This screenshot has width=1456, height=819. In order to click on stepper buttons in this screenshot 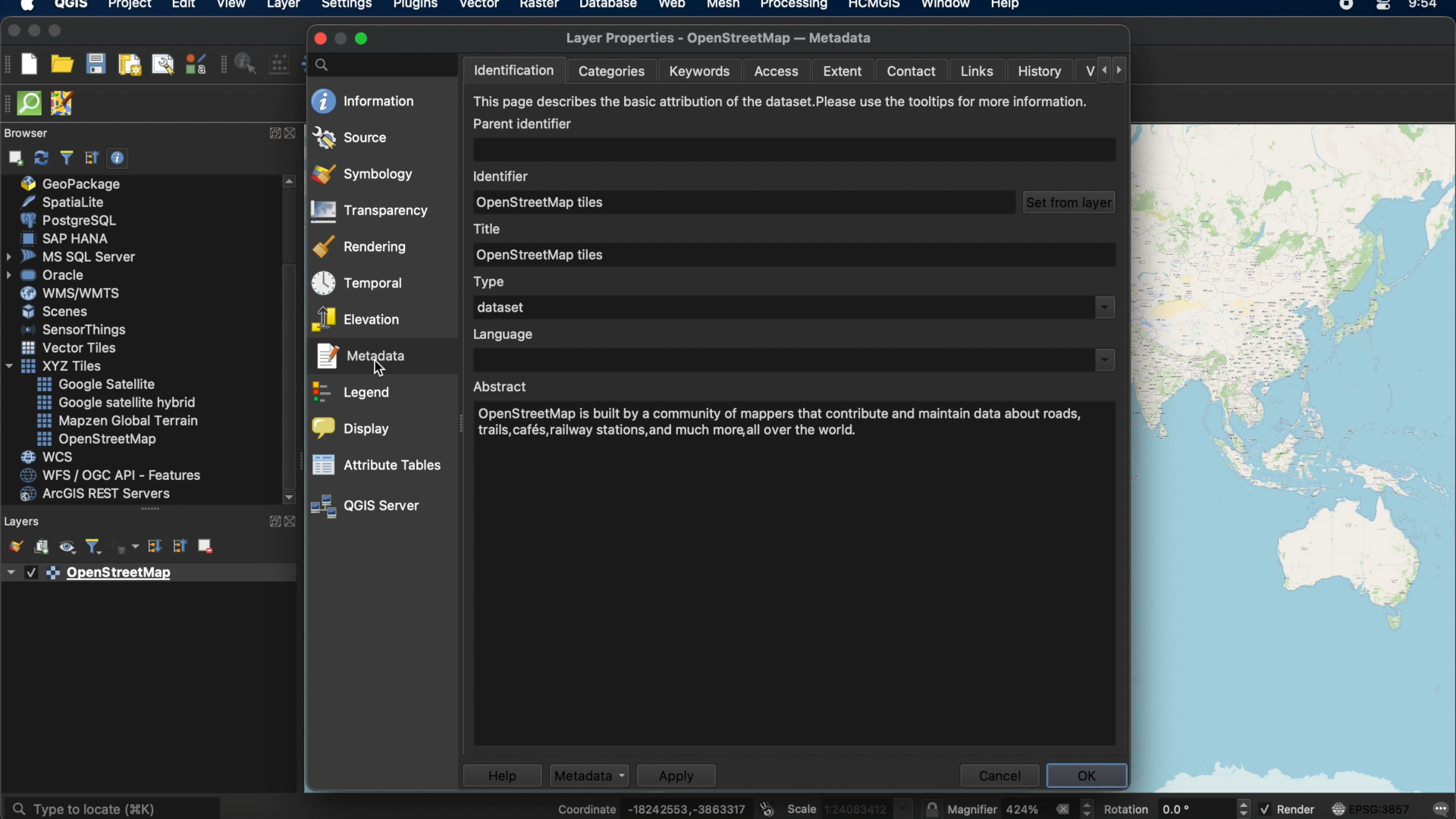, I will do `click(1103, 69)`.